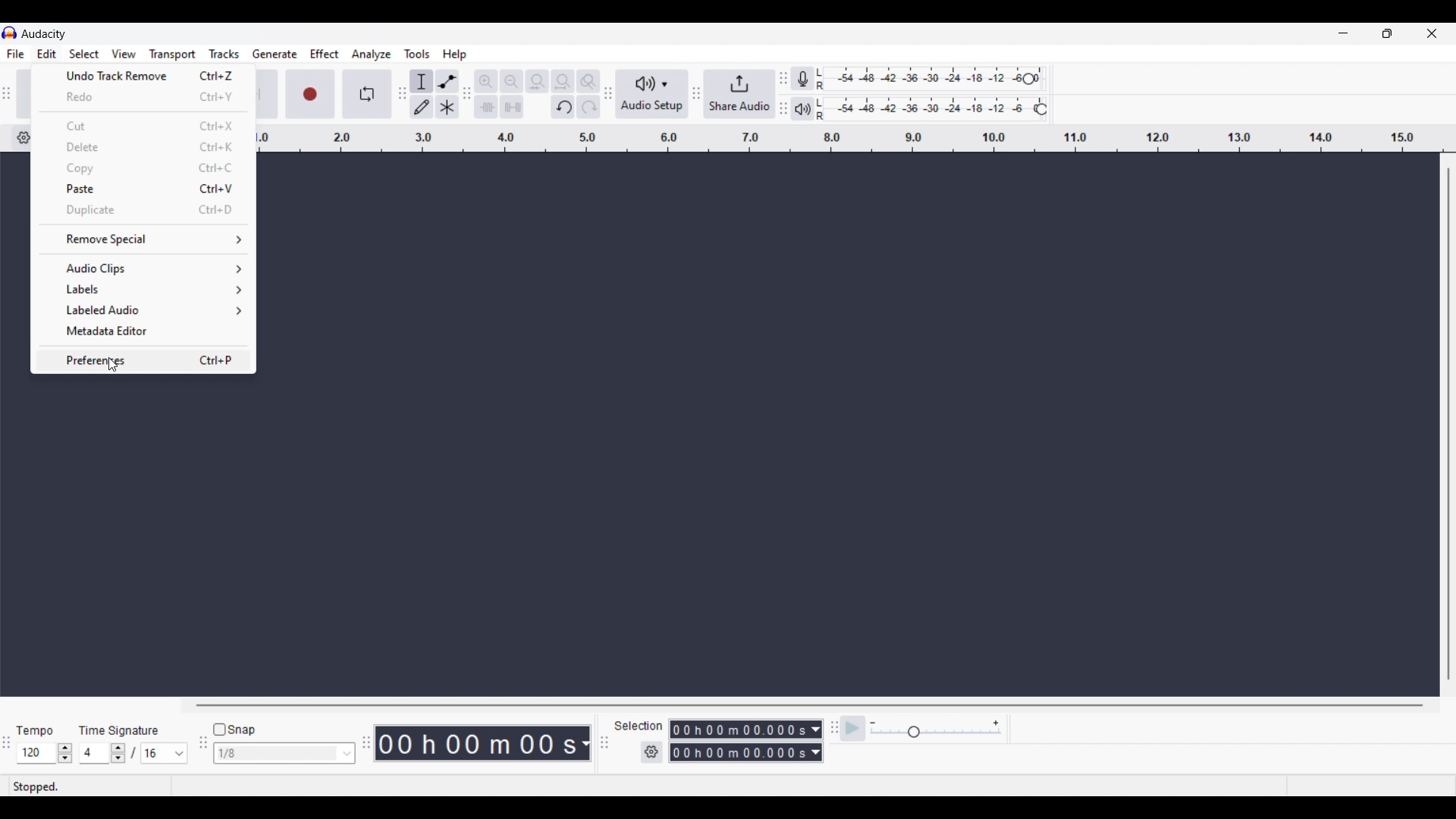  Describe the element at coordinates (144, 268) in the screenshot. I see `Audio clip options` at that location.